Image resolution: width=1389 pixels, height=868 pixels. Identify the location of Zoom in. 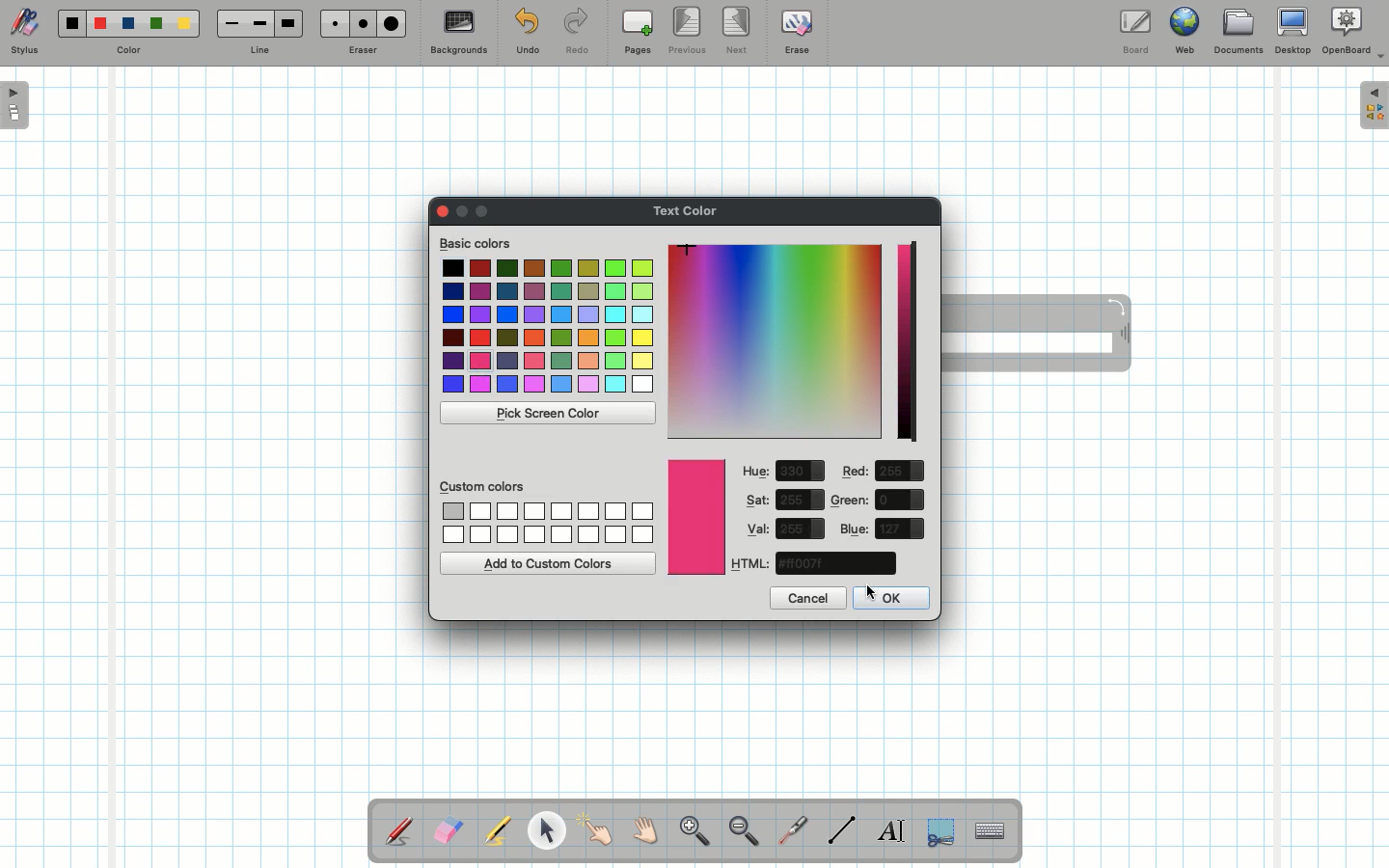
(690, 833).